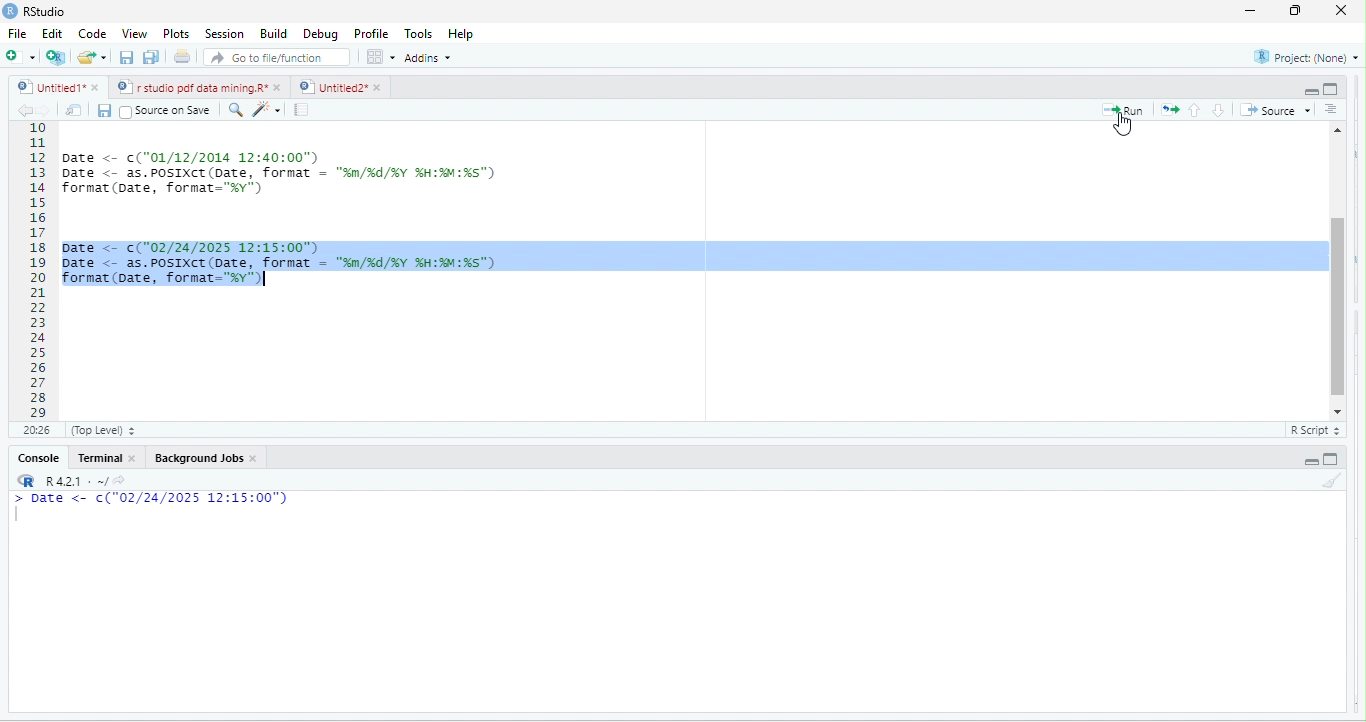  What do you see at coordinates (170, 511) in the screenshot?
I see `> date <-c (02/24/2025-12:15:00)` at bounding box center [170, 511].